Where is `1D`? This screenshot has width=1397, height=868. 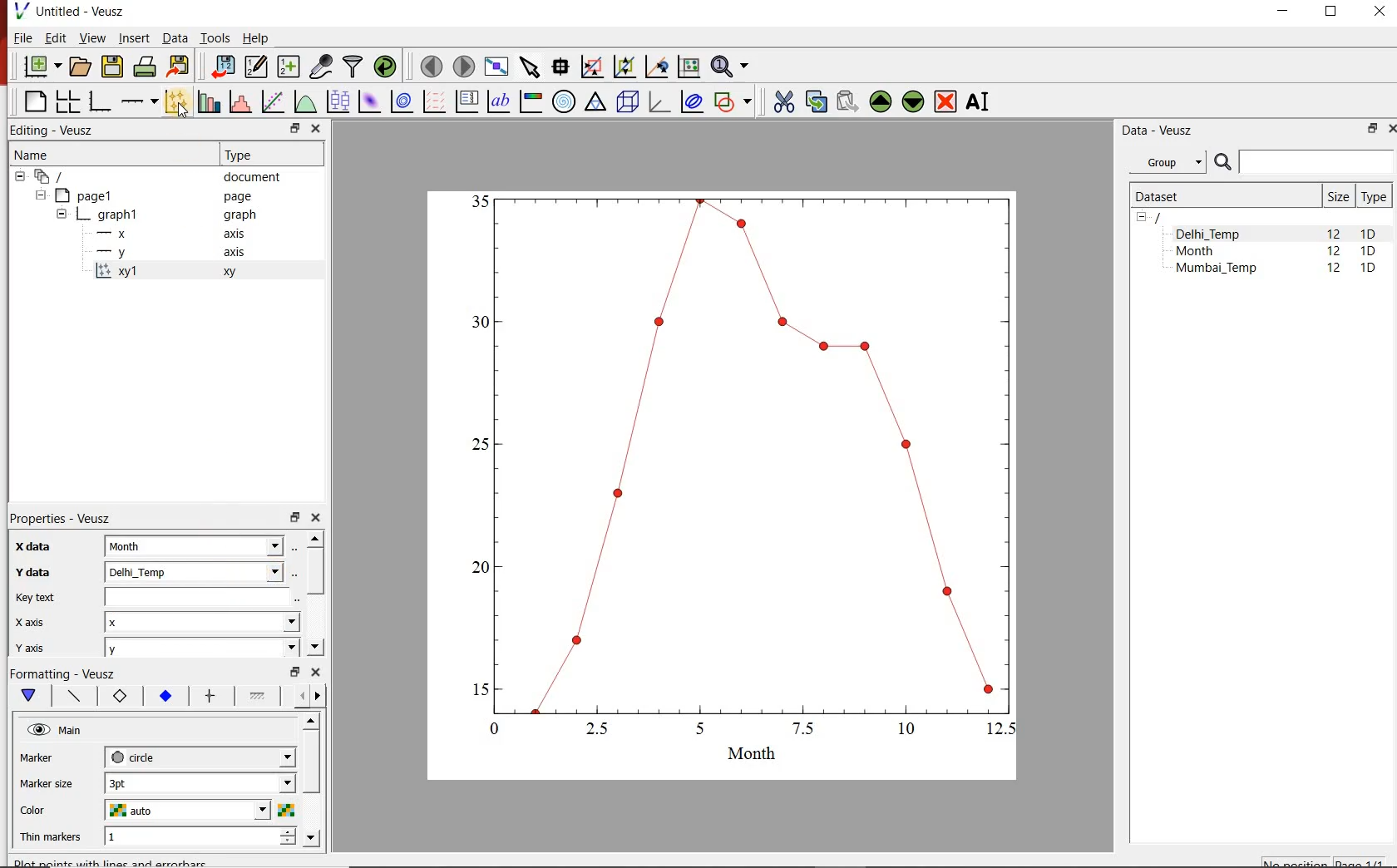 1D is located at coordinates (1368, 269).